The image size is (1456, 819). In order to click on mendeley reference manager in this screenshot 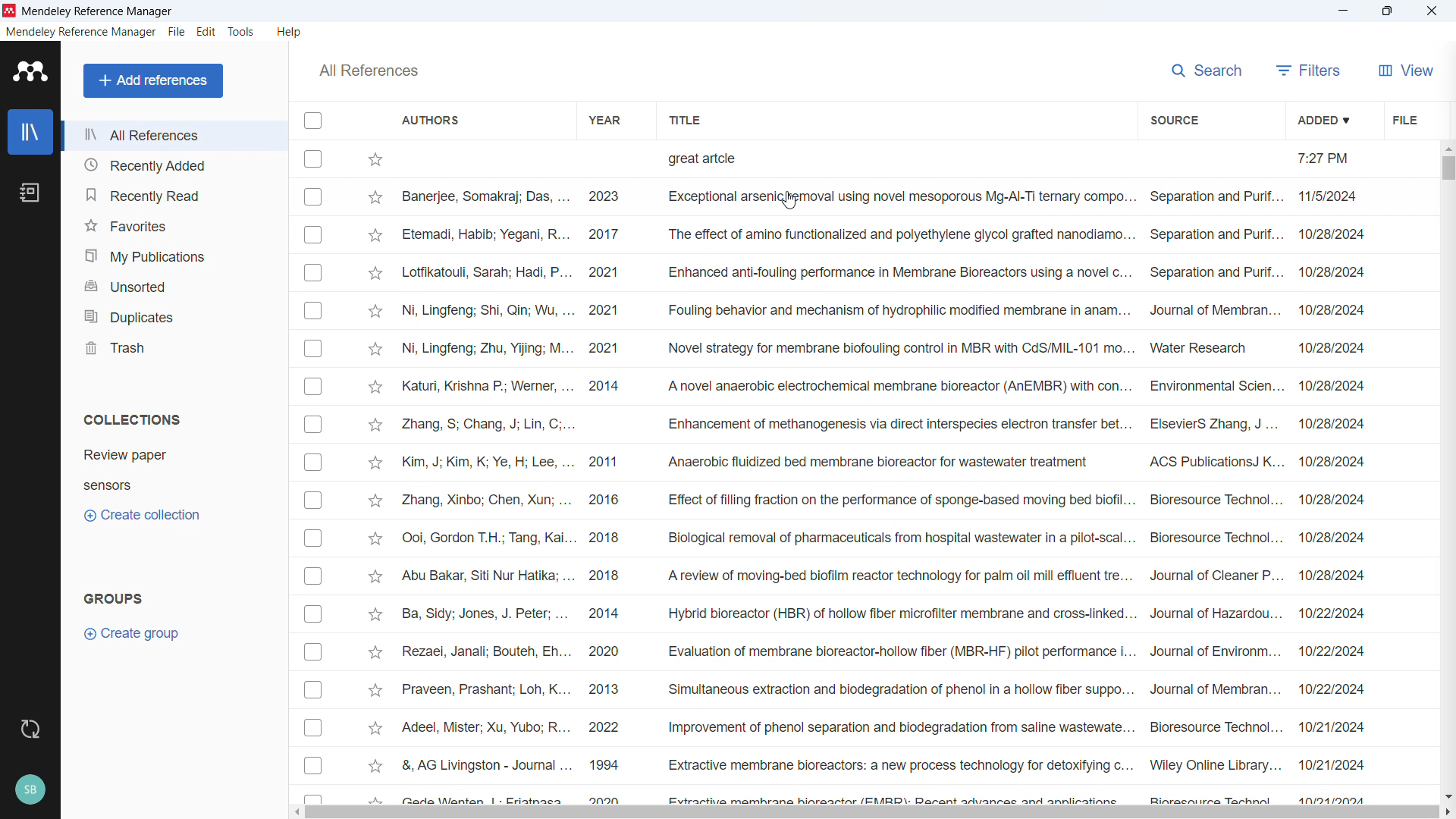, I will do `click(81, 32)`.